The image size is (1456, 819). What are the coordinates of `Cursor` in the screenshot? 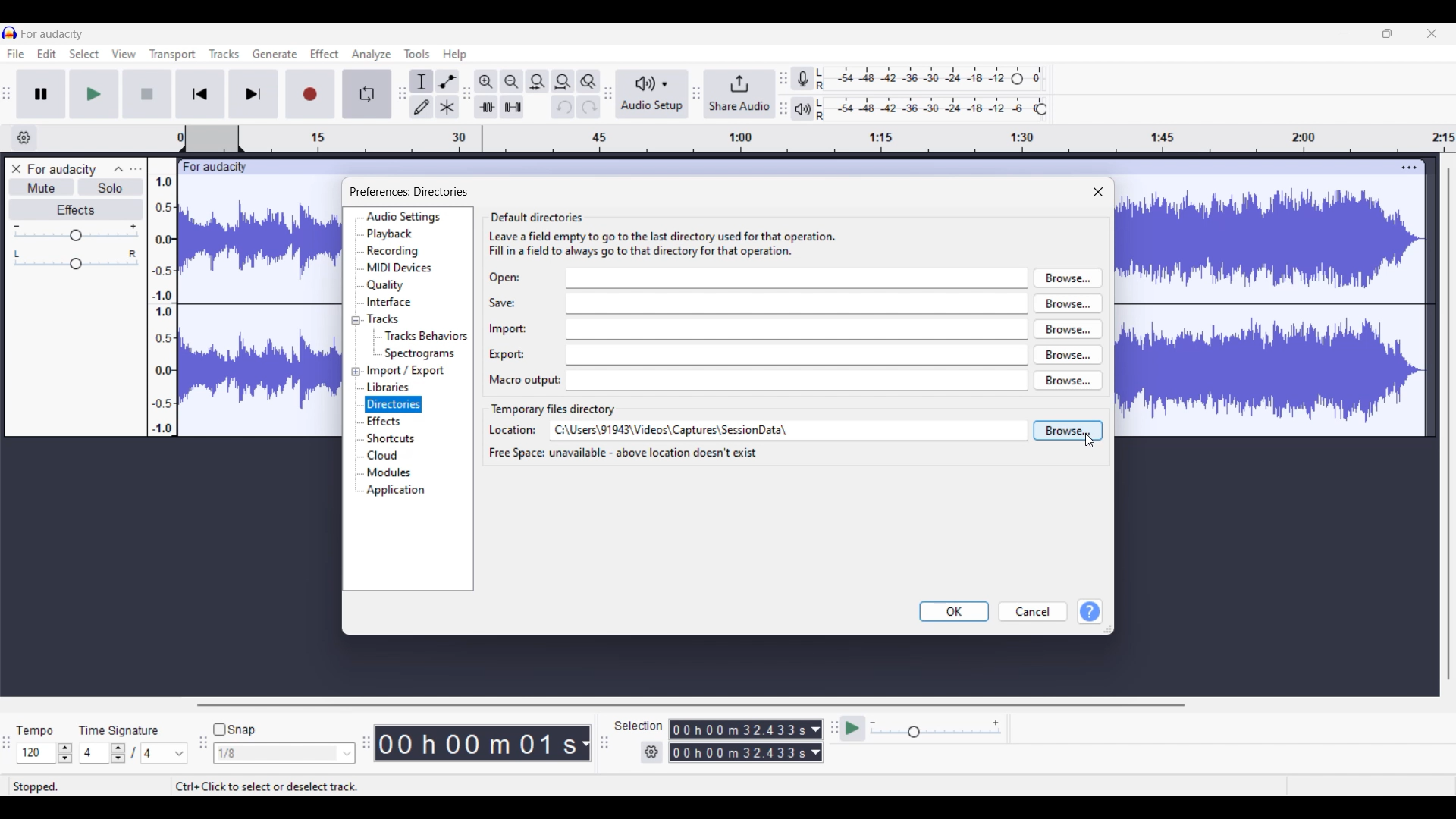 It's located at (1090, 441).